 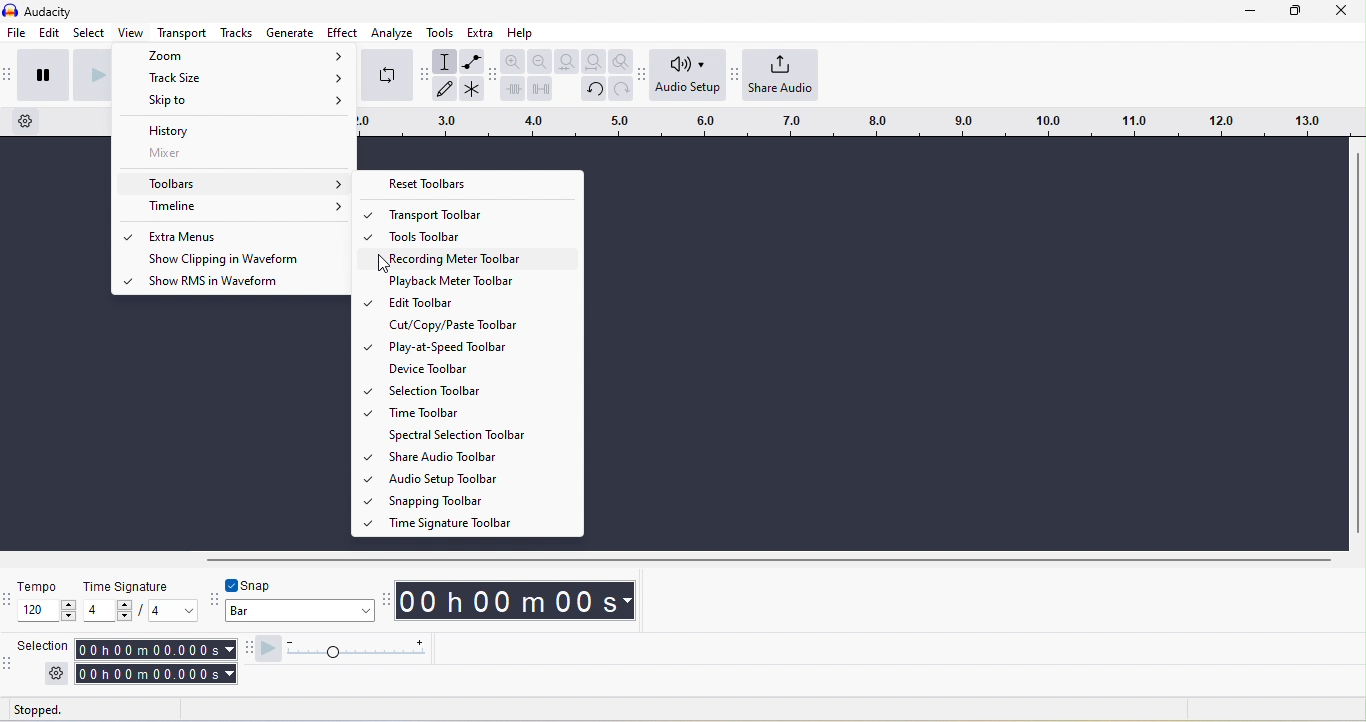 I want to click on snapping toolbar, so click(x=213, y=601).